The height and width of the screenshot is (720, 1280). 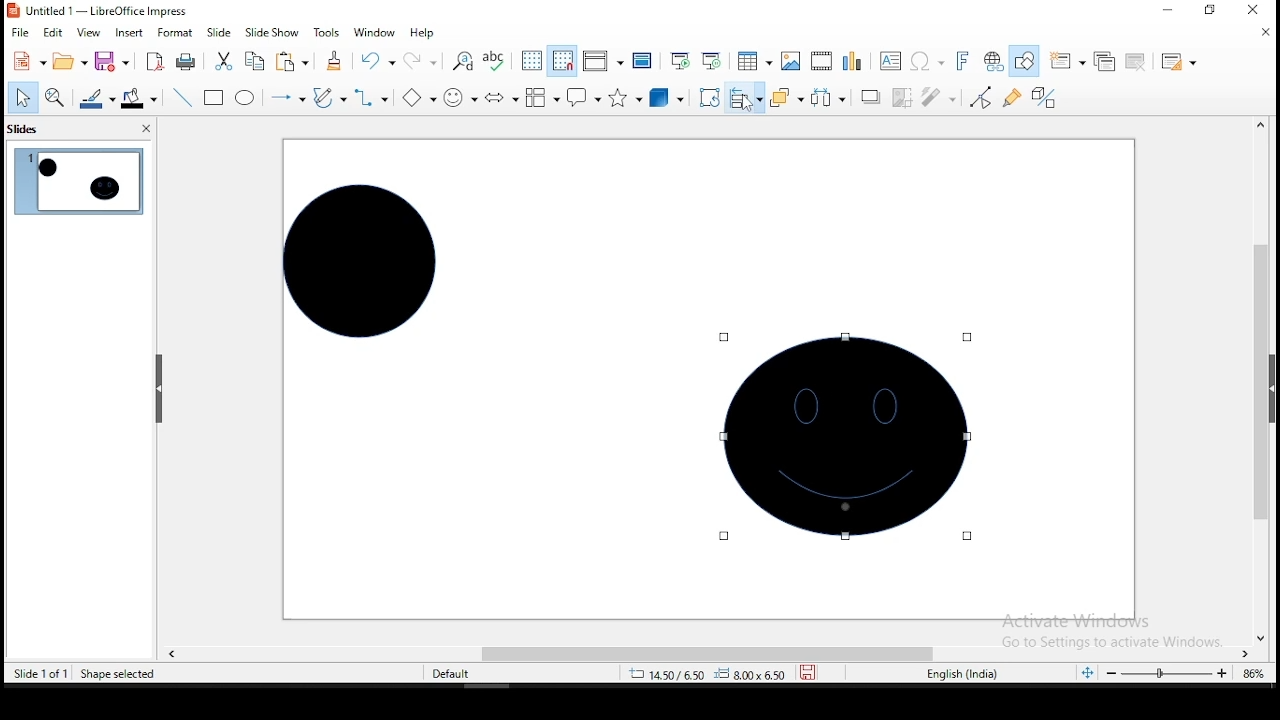 What do you see at coordinates (96, 101) in the screenshot?
I see `line color` at bounding box center [96, 101].